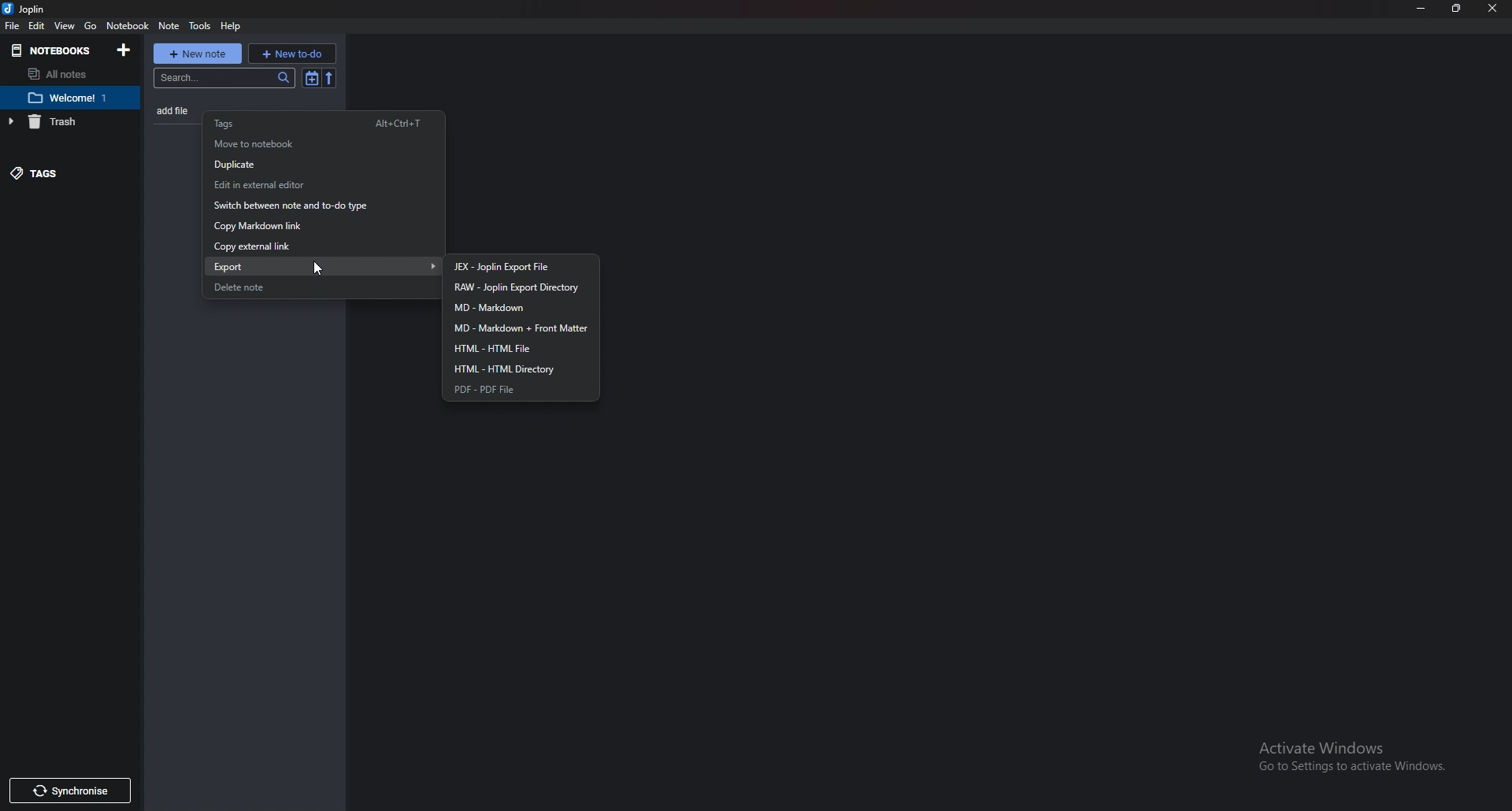  I want to click on Minimize, so click(1422, 8).